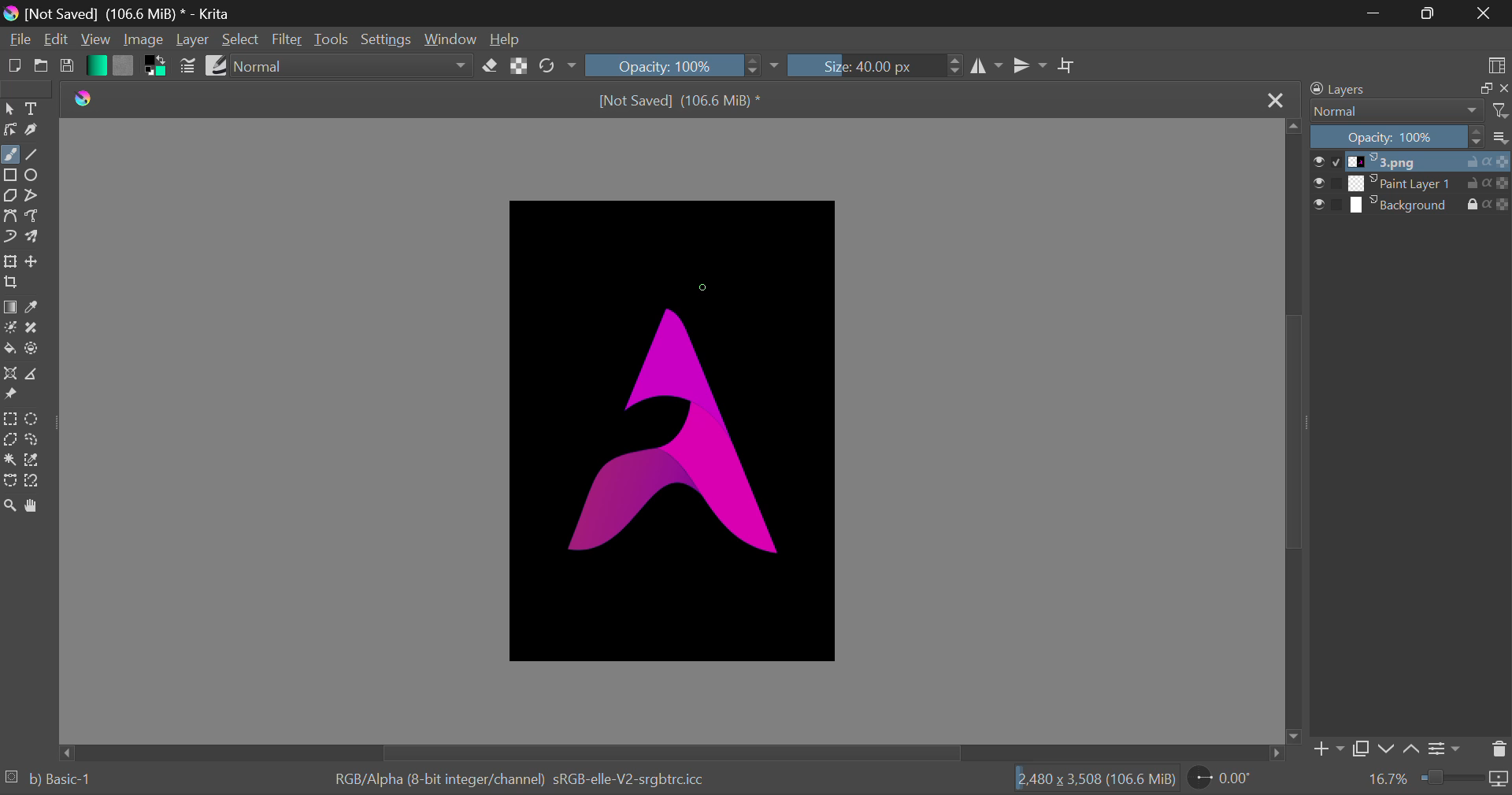  Describe the element at coordinates (43, 68) in the screenshot. I see `Open` at that location.